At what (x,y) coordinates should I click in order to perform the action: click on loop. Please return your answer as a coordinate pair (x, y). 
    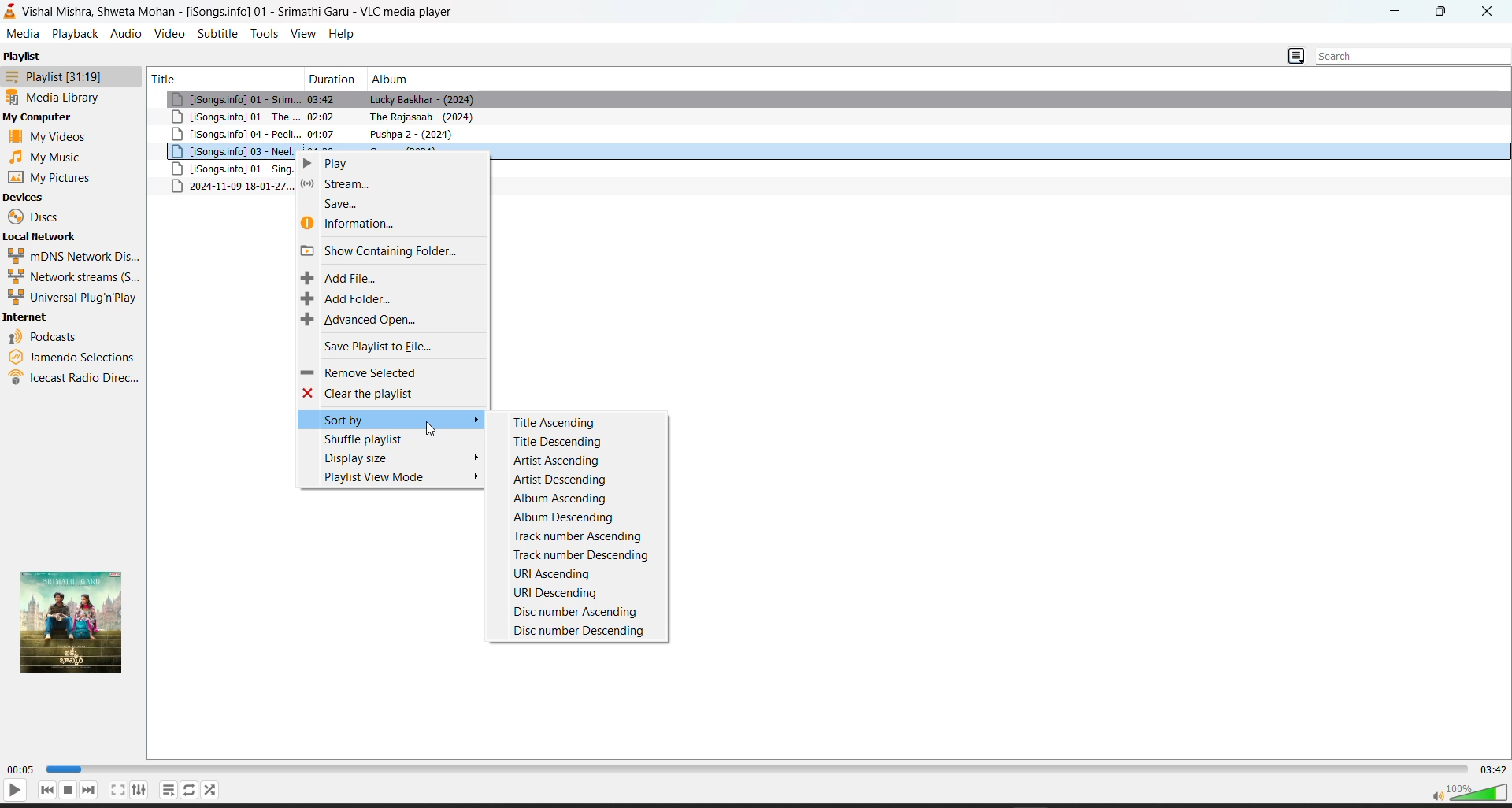
    Looking at the image, I should click on (168, 790).